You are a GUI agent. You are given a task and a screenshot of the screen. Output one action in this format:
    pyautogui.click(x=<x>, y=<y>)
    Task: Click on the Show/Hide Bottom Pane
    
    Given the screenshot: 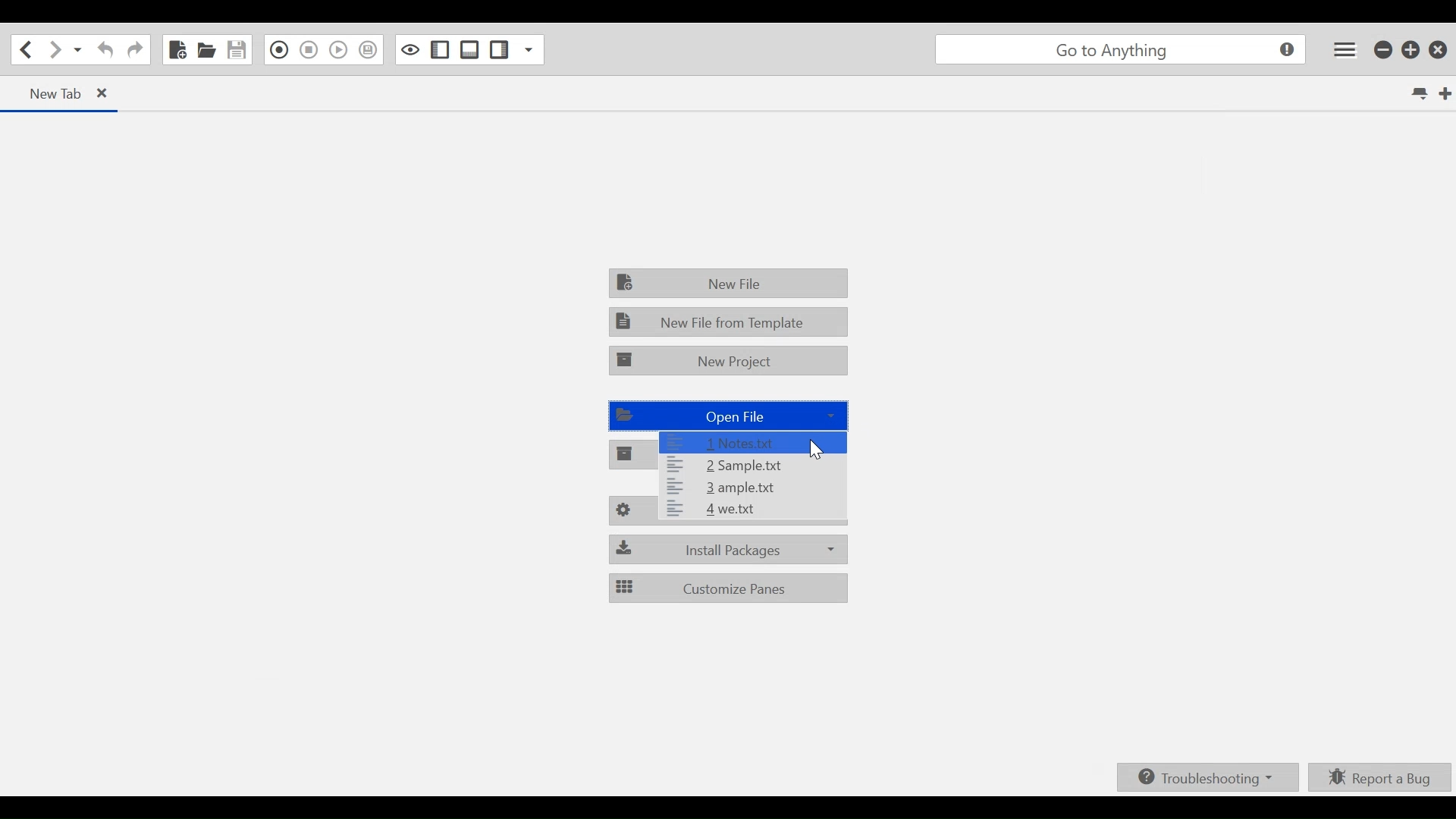 What is the action you would take?
    pyautogui.click(x=469, y=49)
    